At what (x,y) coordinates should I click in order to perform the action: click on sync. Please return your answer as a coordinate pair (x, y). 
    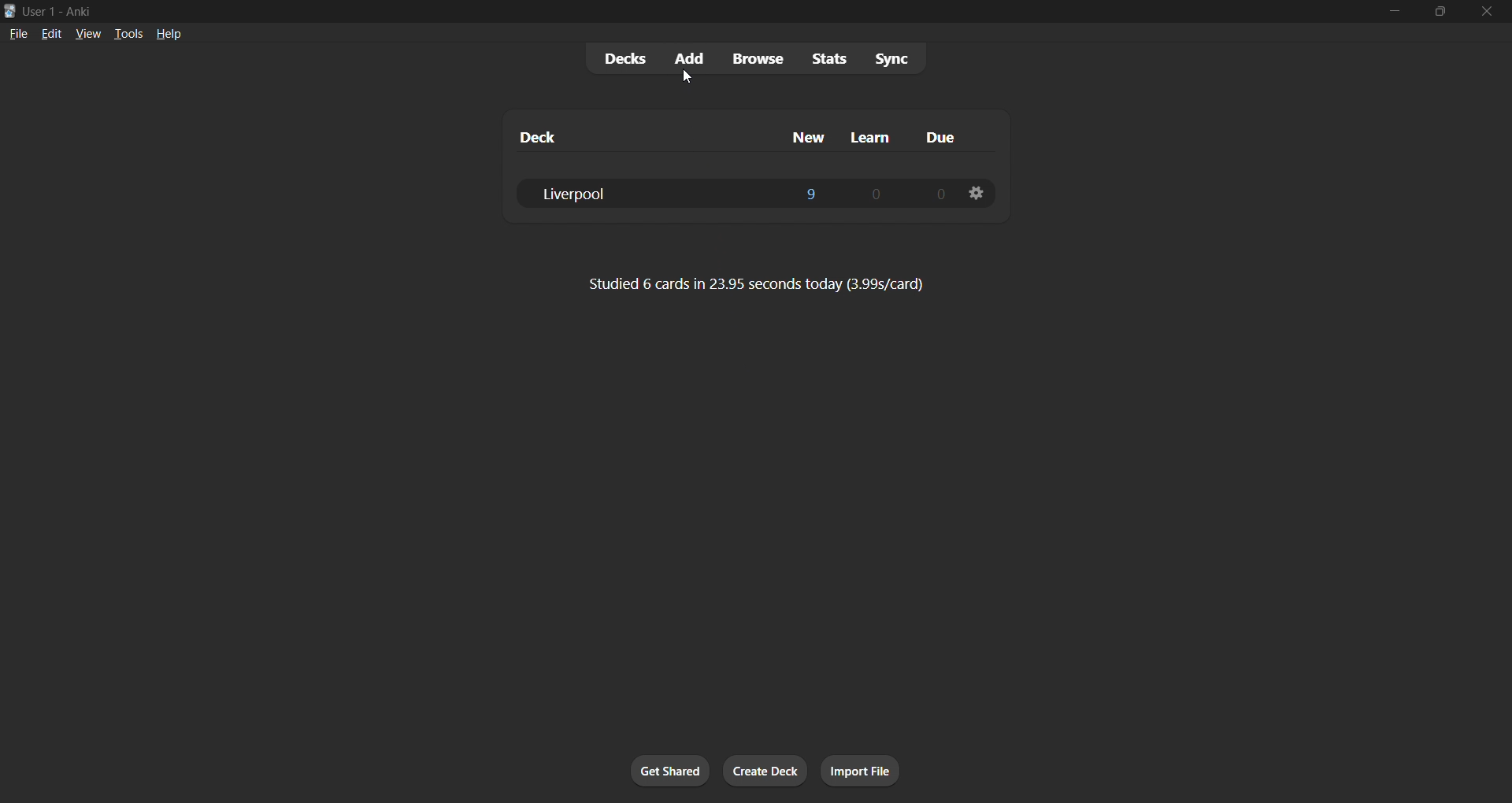
    Looking at the image, I should click on (889, 60).